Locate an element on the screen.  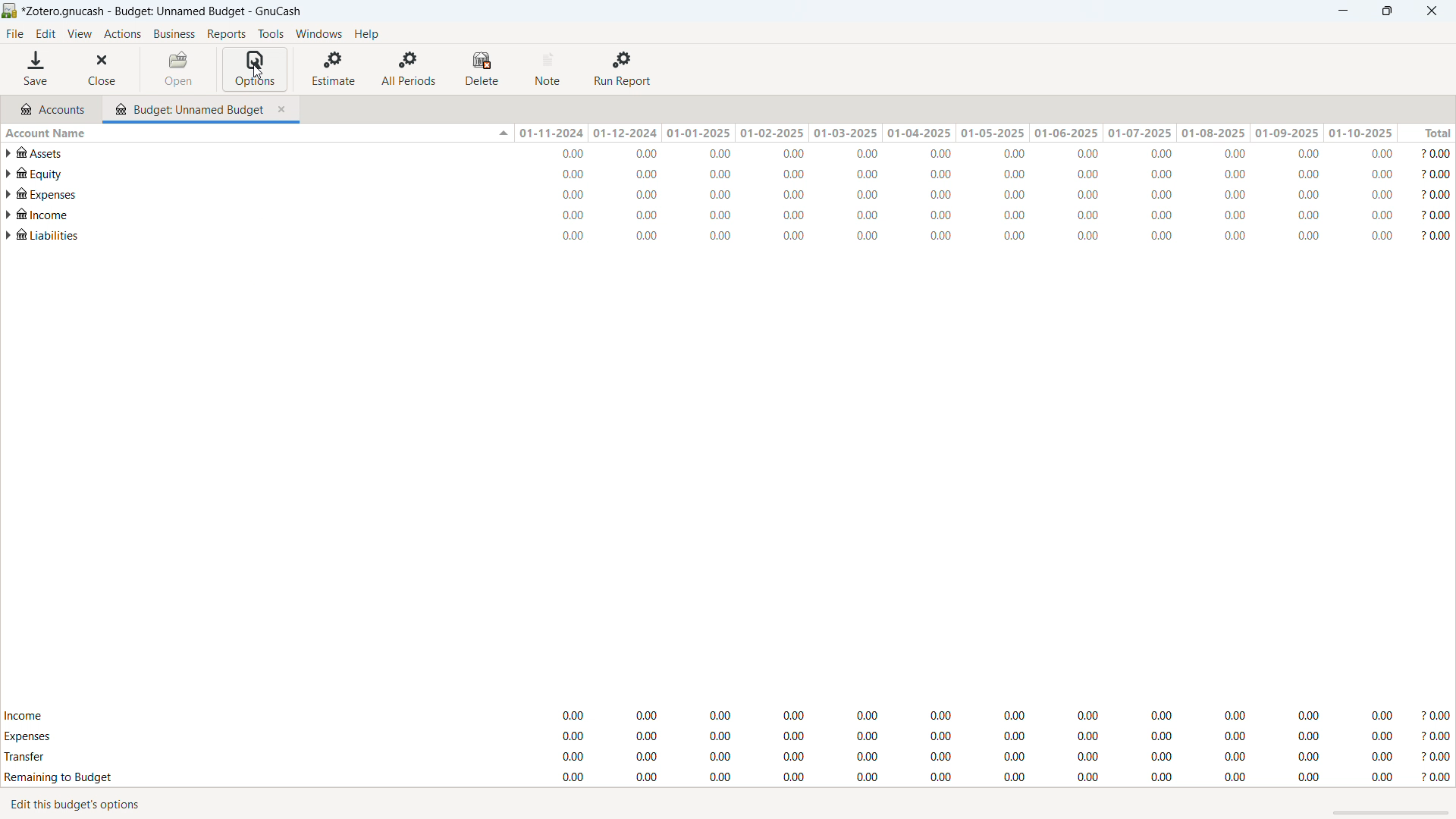
close is located at coordinates (1431, 11).